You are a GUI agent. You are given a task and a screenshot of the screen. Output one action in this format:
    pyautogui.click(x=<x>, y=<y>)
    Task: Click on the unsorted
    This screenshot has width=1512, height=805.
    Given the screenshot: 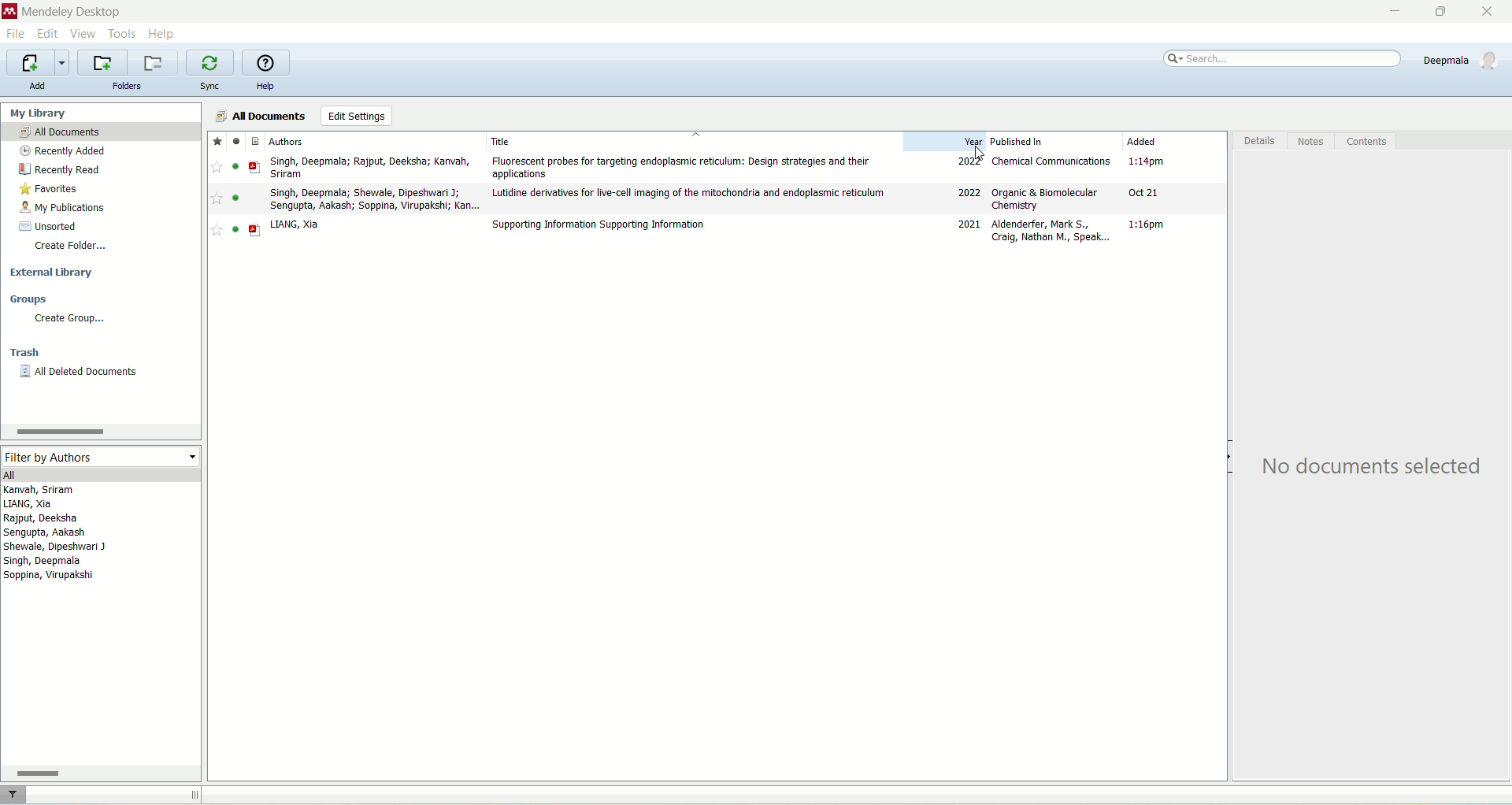 What is the action you would take?
    pyautogui.click(x=48, y=227)
    